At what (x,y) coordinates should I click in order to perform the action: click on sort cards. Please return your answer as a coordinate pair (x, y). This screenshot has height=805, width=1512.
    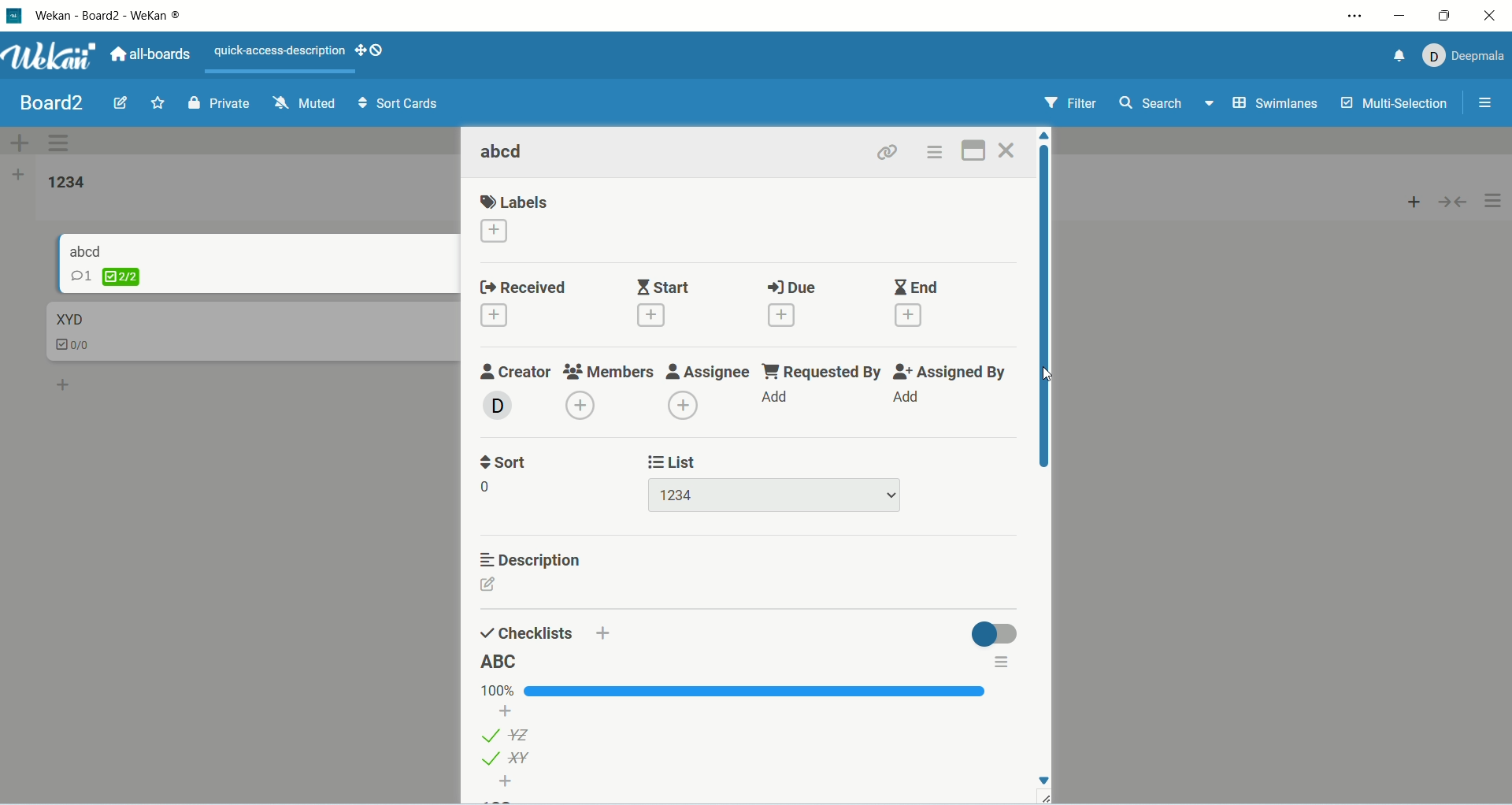
    Looking at the image, I should click on (400, 104).